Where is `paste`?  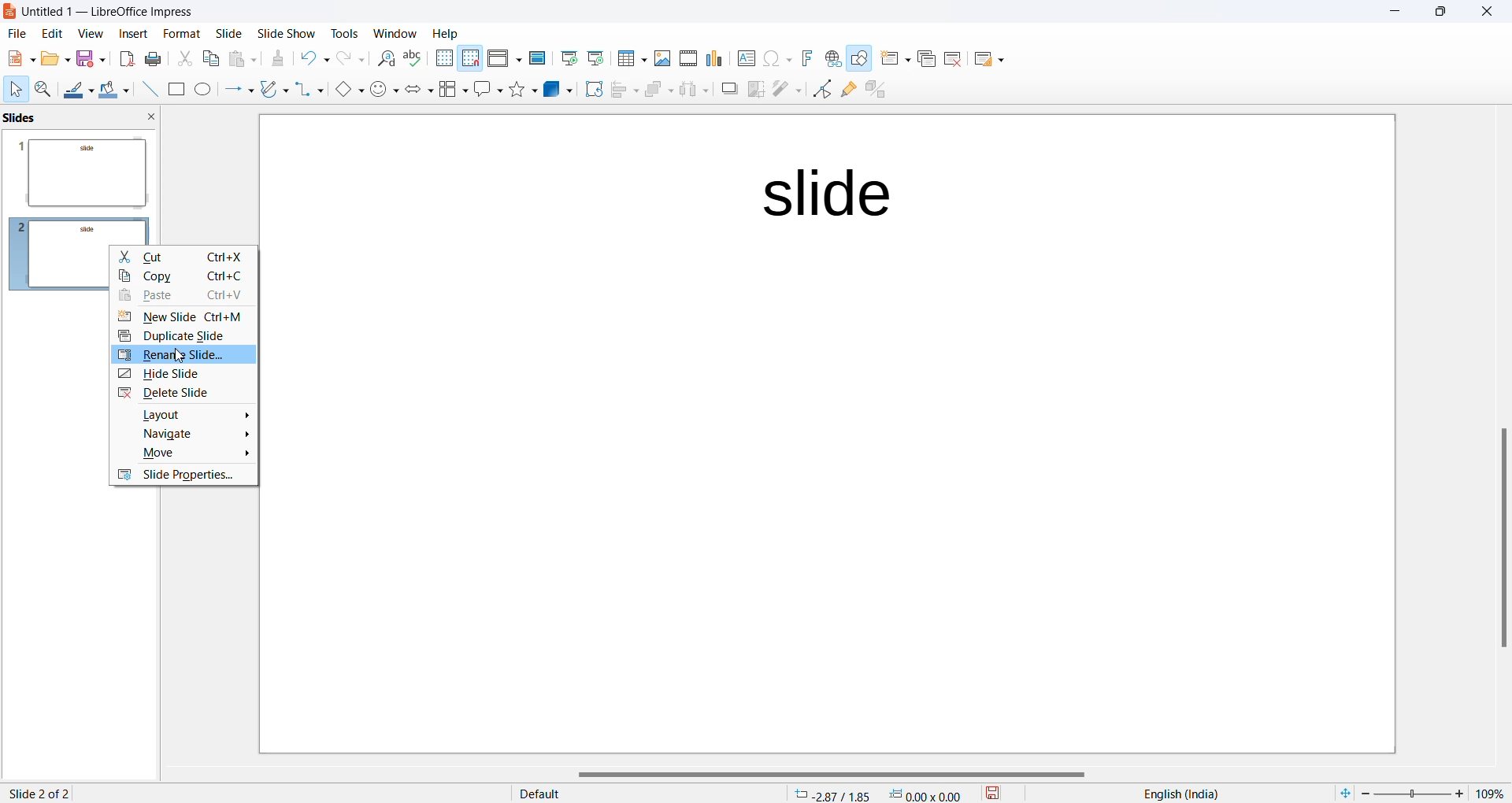
paste is located at coordinates (183, 298).